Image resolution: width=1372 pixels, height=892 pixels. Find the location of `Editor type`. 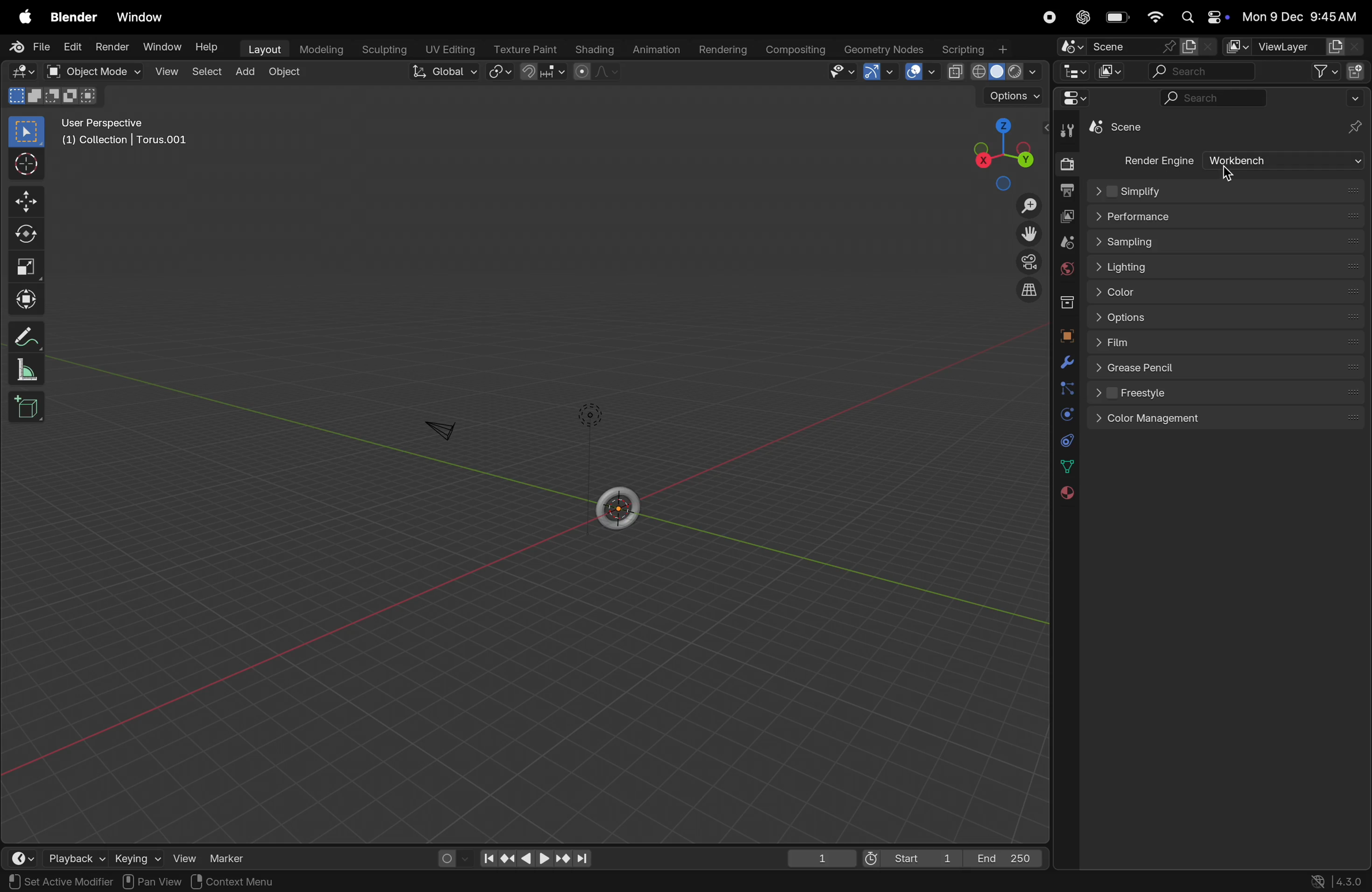

Editor type is located at coordinates (1072, 73).